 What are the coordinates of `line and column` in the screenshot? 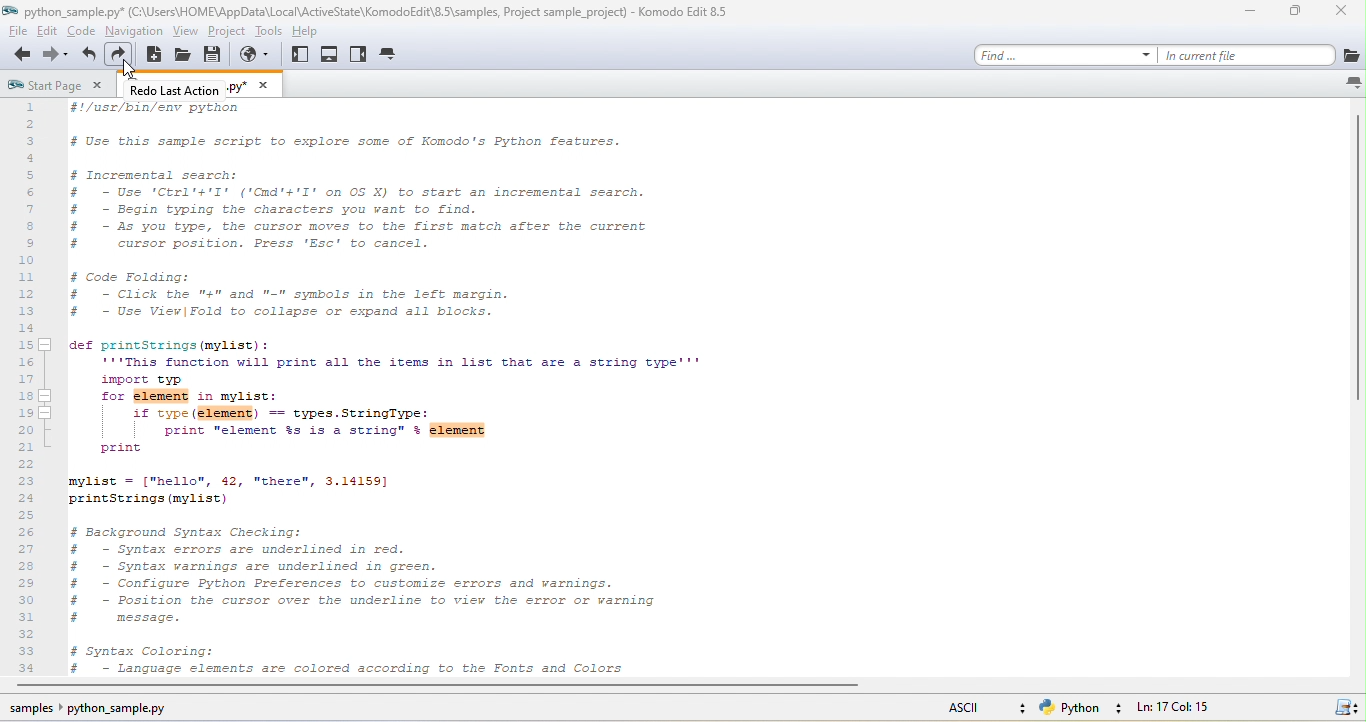 It's located at (1204, 706).